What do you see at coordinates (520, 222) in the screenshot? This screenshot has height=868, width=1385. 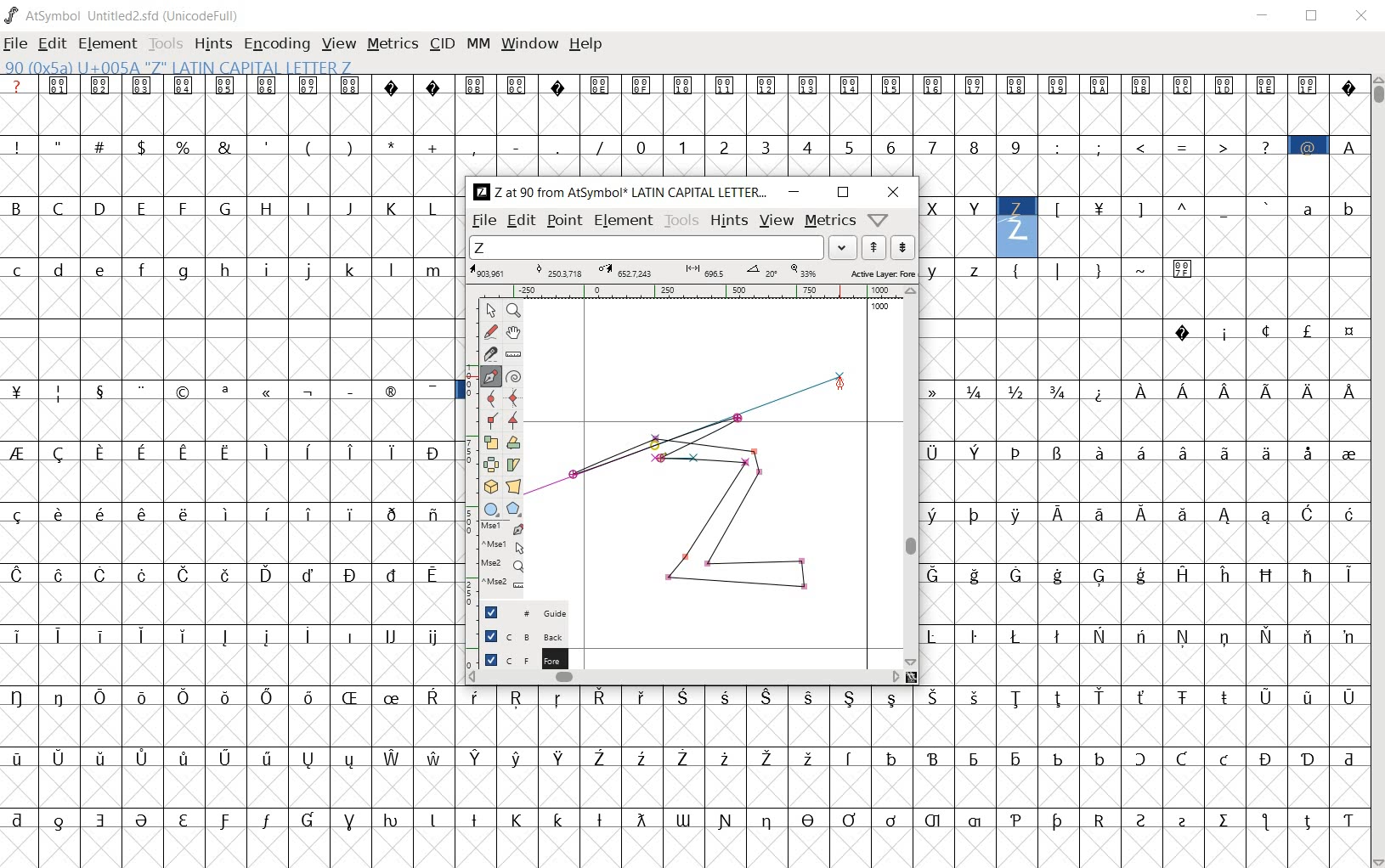 I see `edit` at bounding box center [520, 222].